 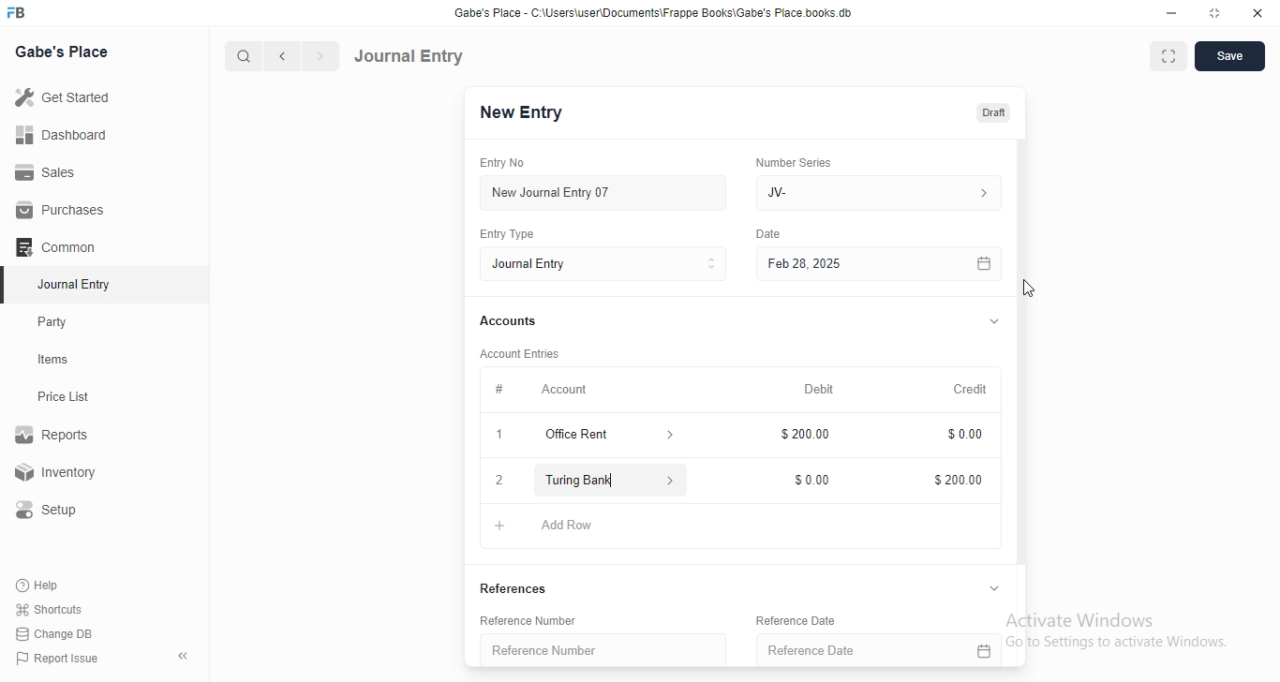 What do you see at coordinates (59, 474) in the screenshot?
I see `Inventory` at bounding box center [59, 474].